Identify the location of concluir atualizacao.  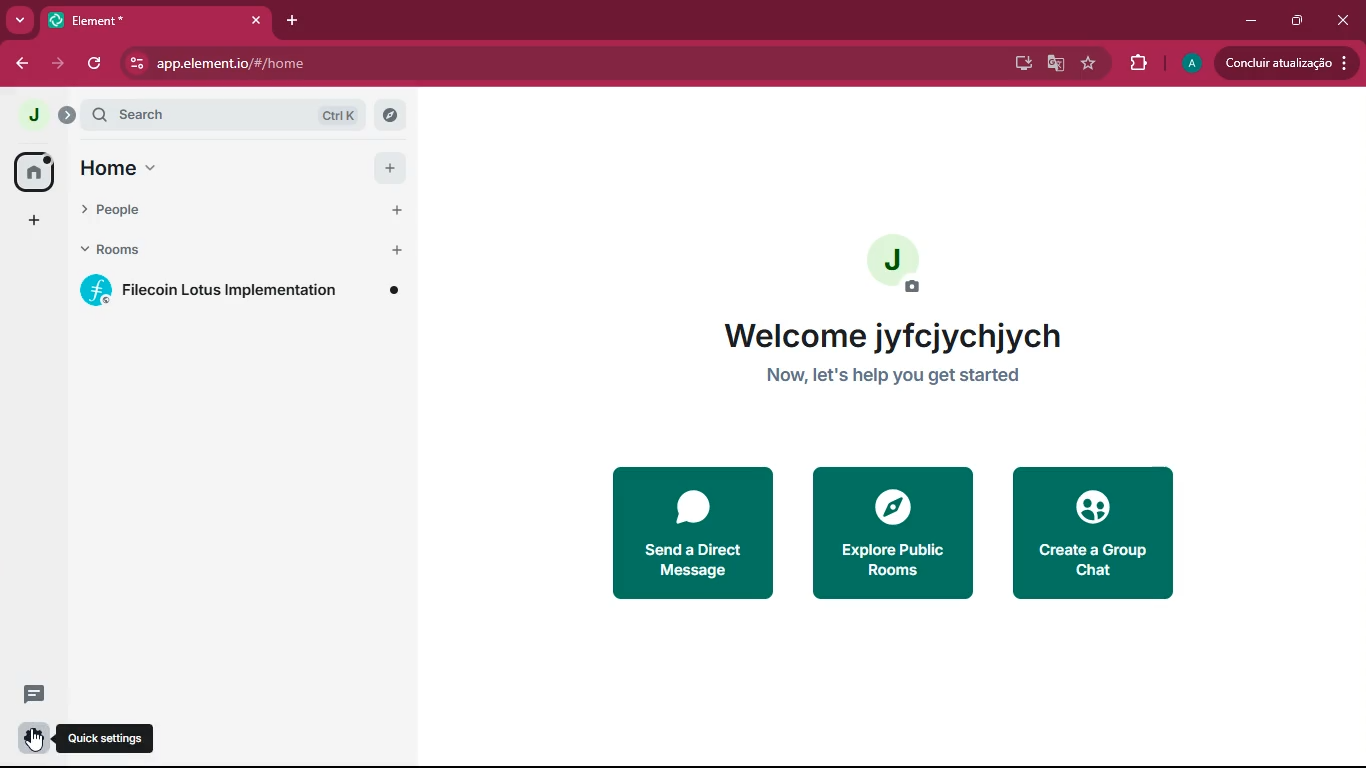
(1284, 62).